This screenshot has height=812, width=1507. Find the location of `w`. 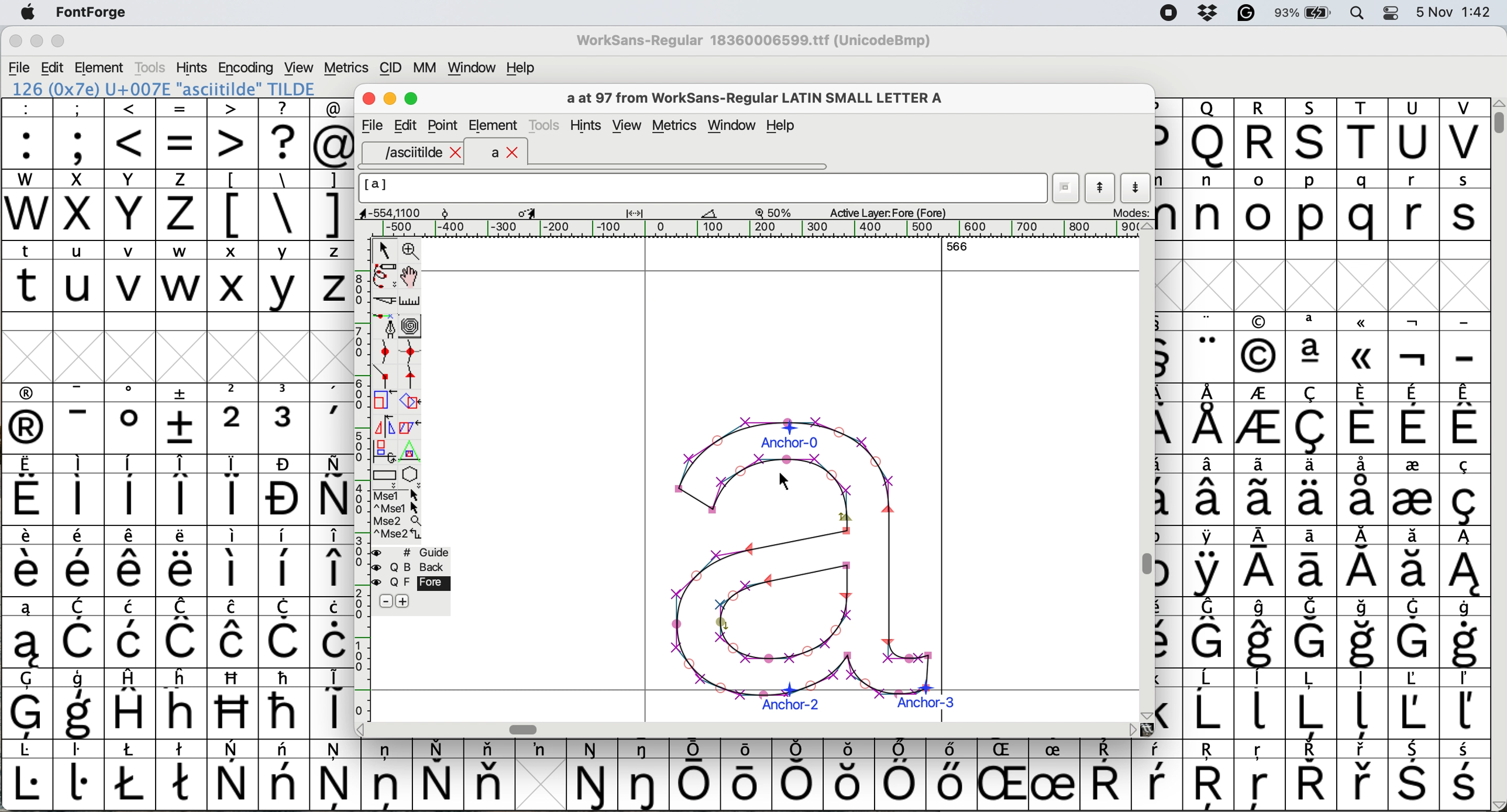

w is located at coordinates (181, 277).